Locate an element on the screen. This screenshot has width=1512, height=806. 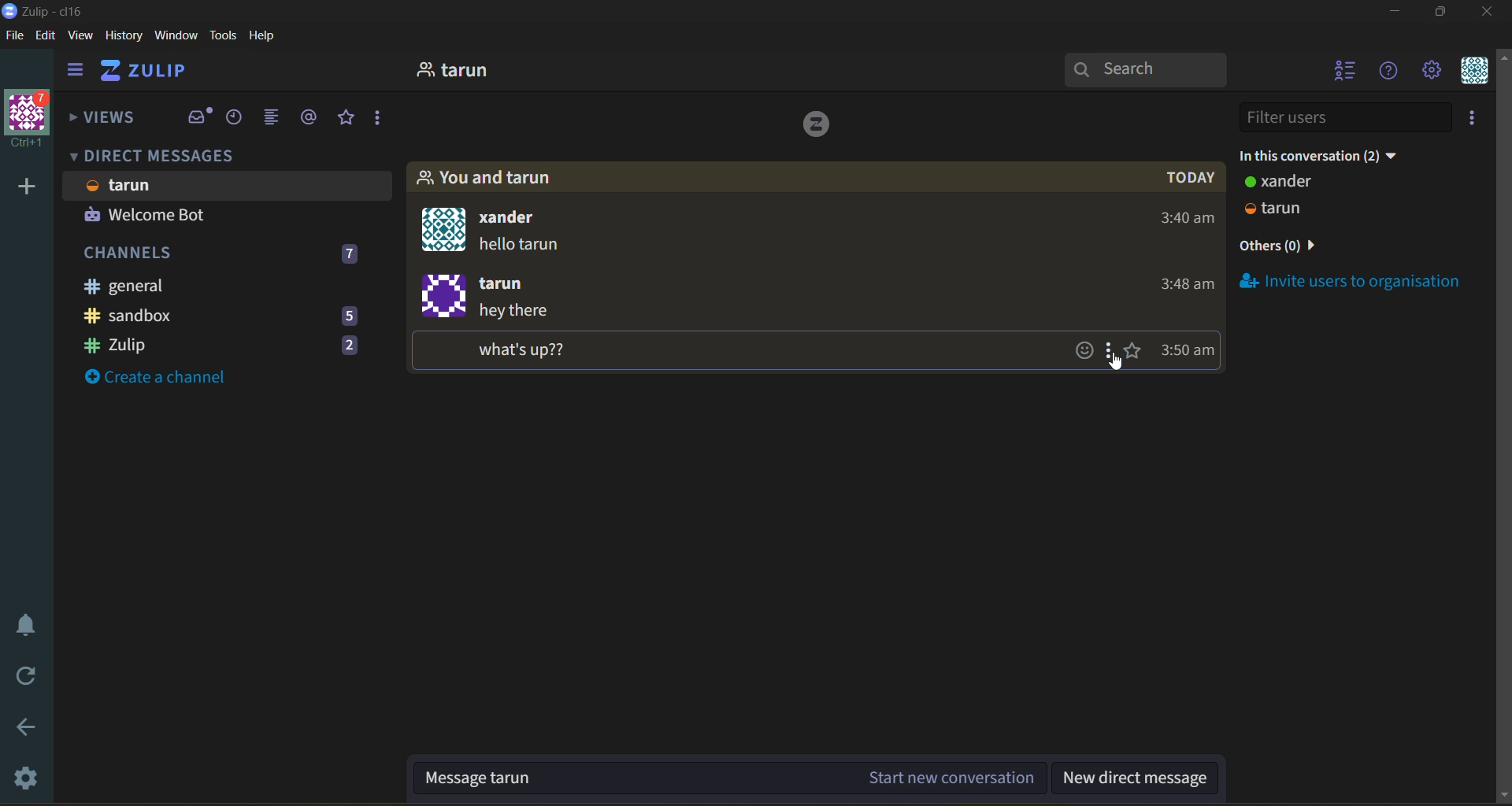
starred messages is located at coordinates (348, 119).